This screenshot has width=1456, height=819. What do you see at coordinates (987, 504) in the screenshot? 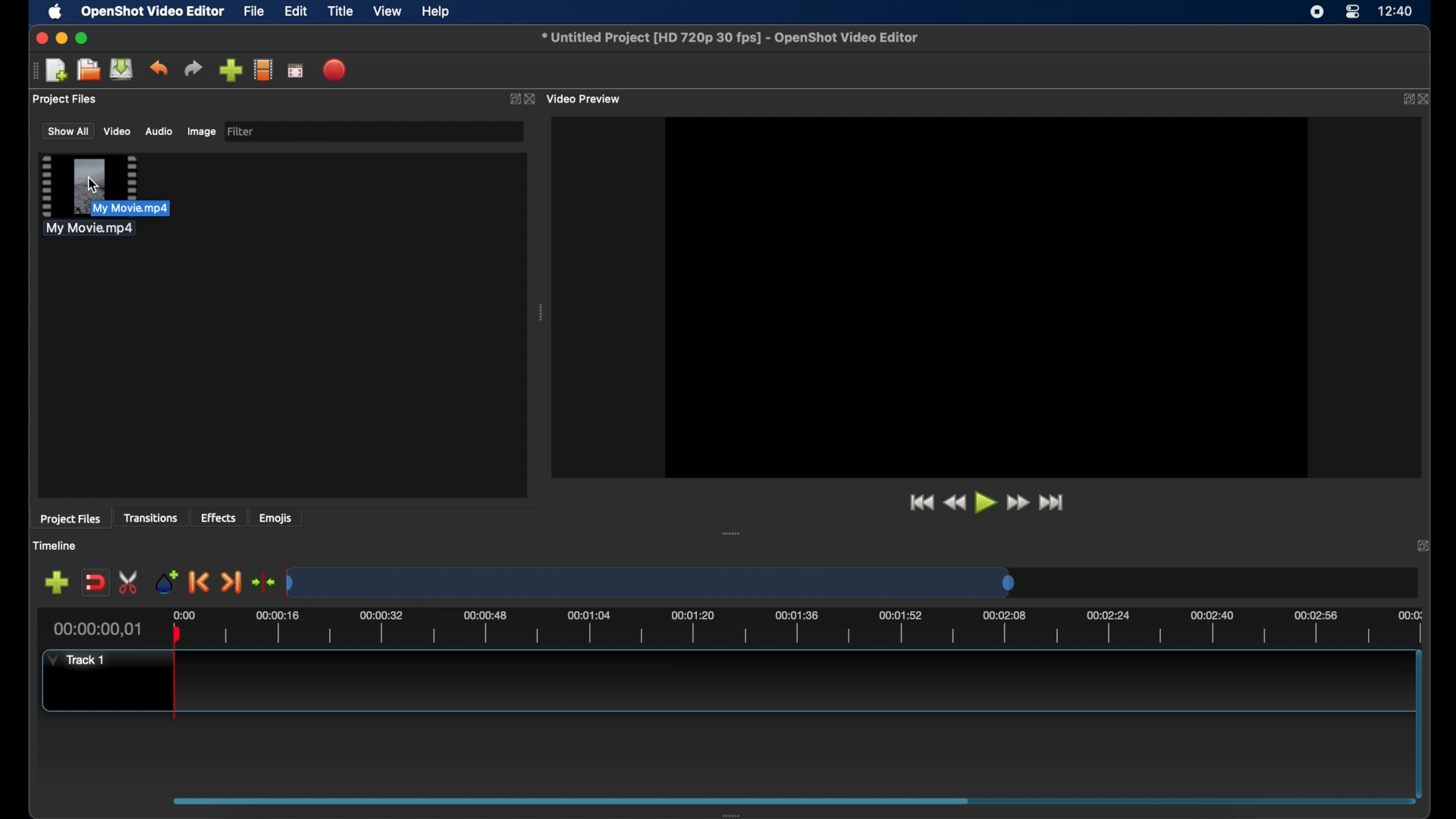
I see `play button` at bounding box center [987, 504].